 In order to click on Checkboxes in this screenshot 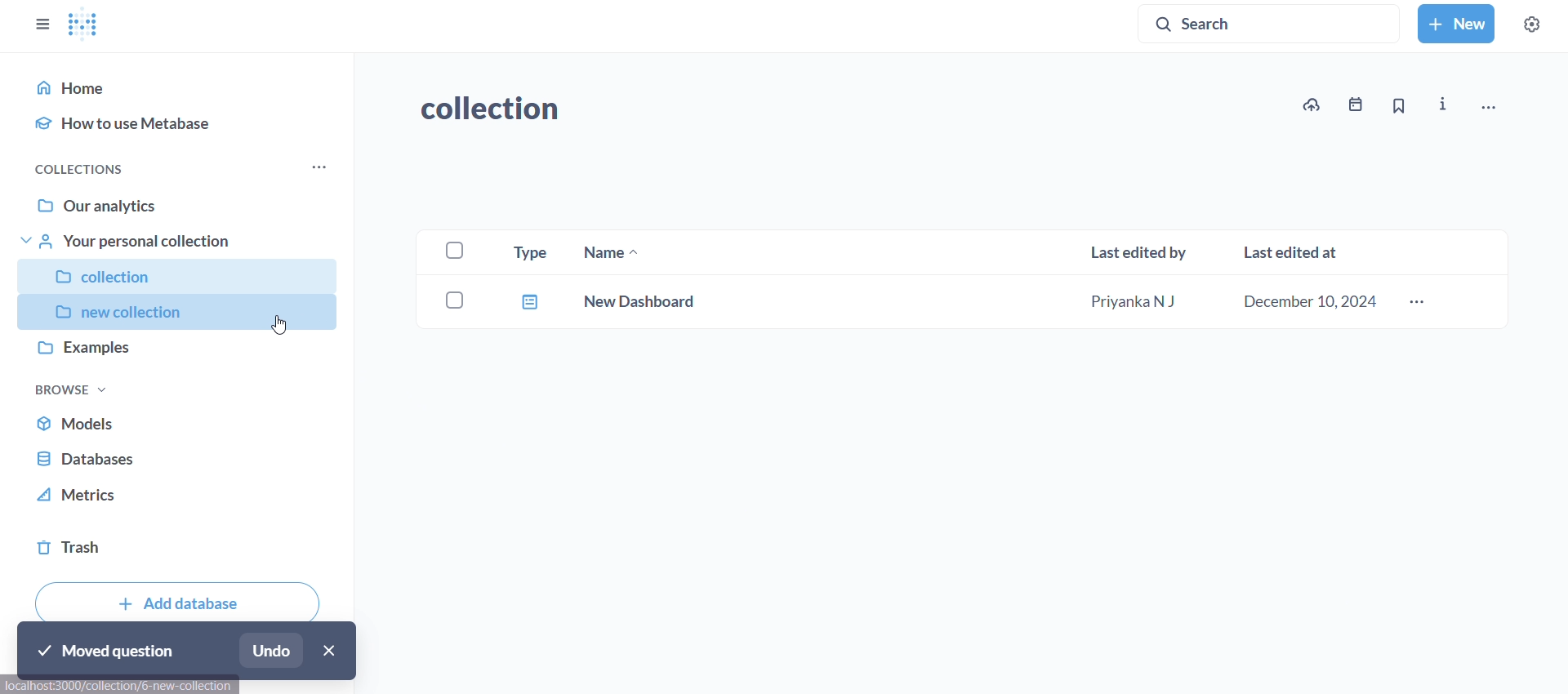, I will do `click(447, 251)`.